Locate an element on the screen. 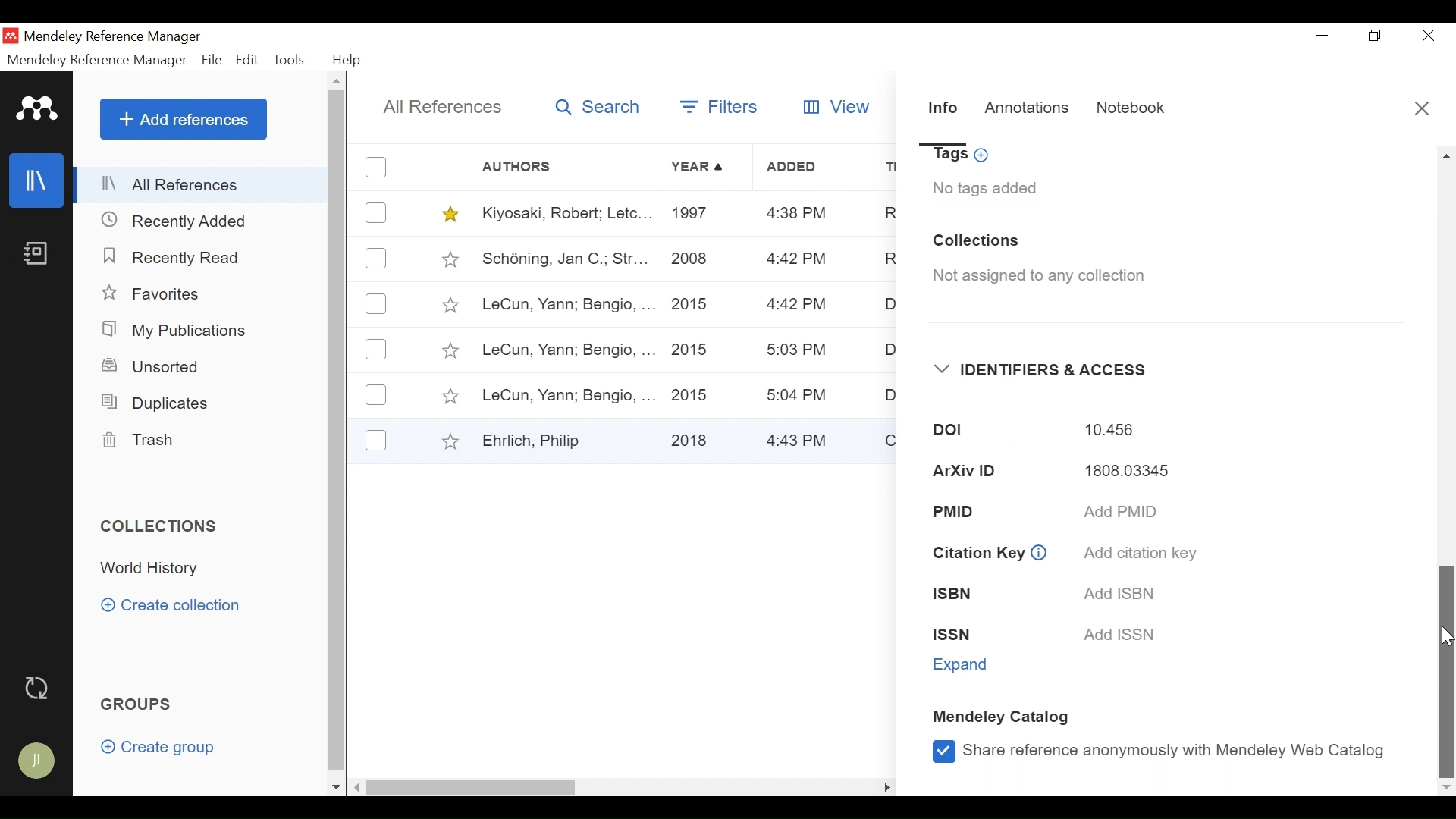 The image size is (1456, 819). Create group is located at coordinates (158, 746).